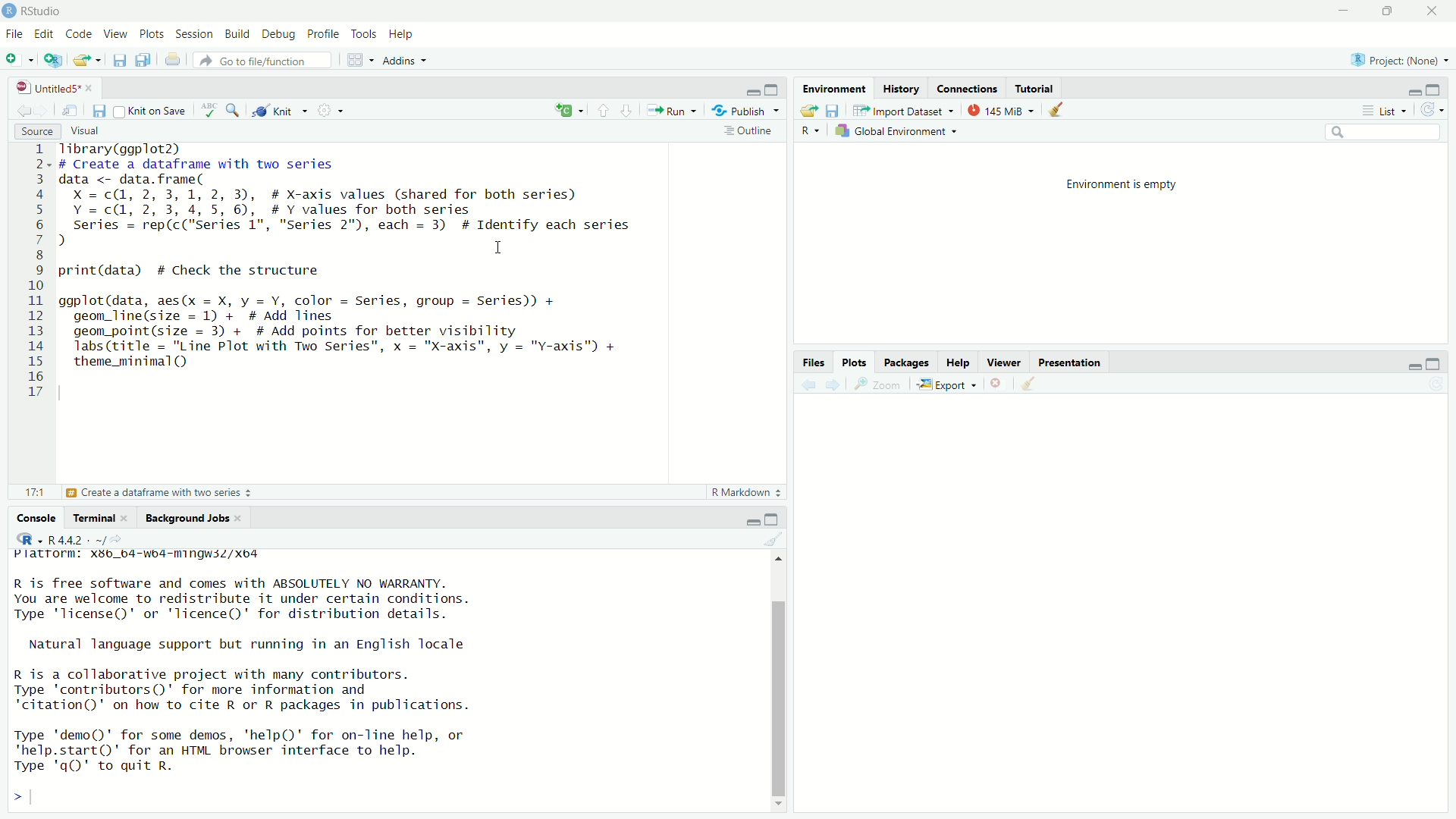  Describe the element at coordinates (36, 11) in the screenshot. I see `Rstudio` at that location.